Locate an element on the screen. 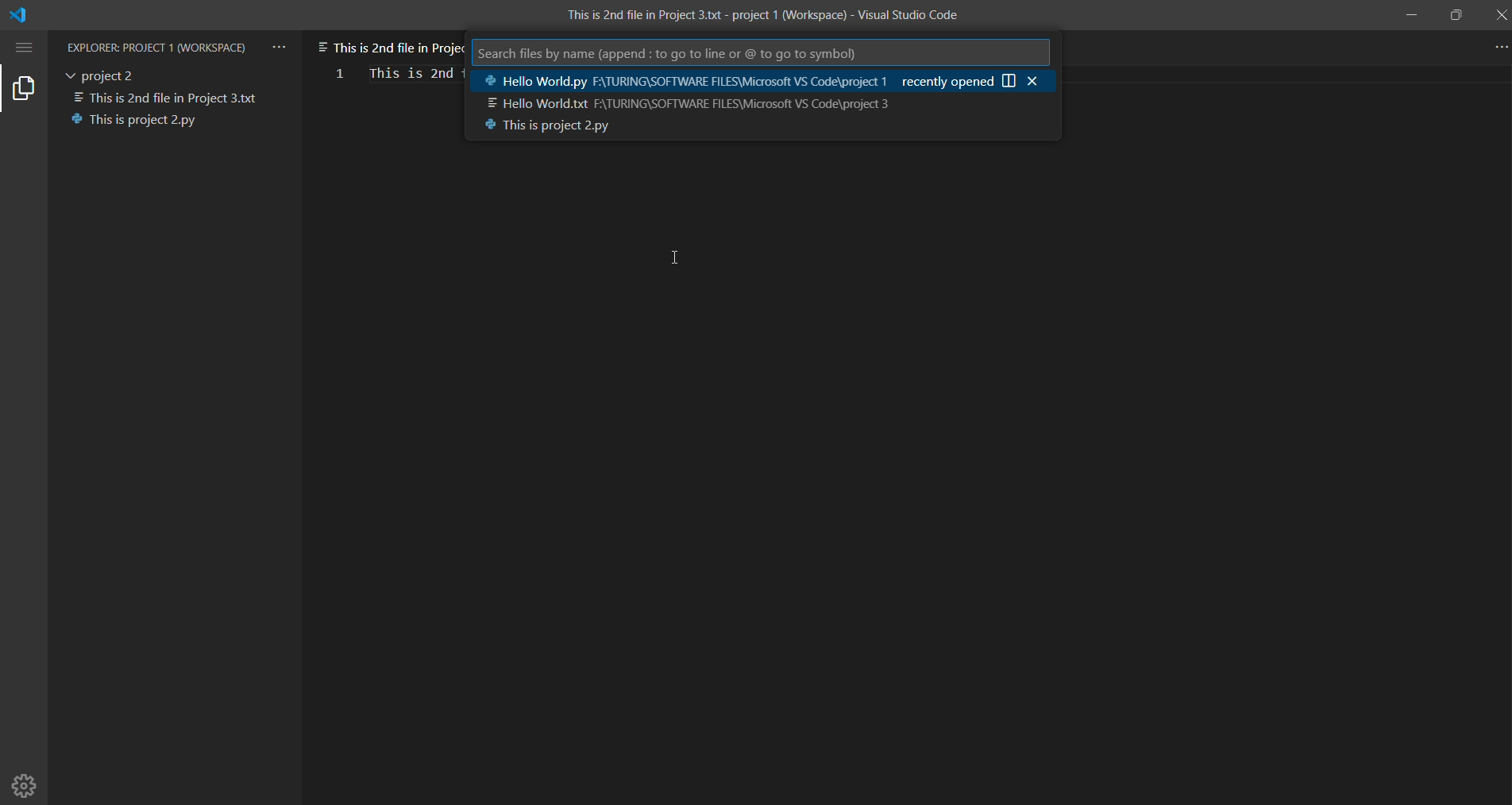 The height and width of the screenshot is (805, 1512). split screen is located at coordinates (1010, 80).